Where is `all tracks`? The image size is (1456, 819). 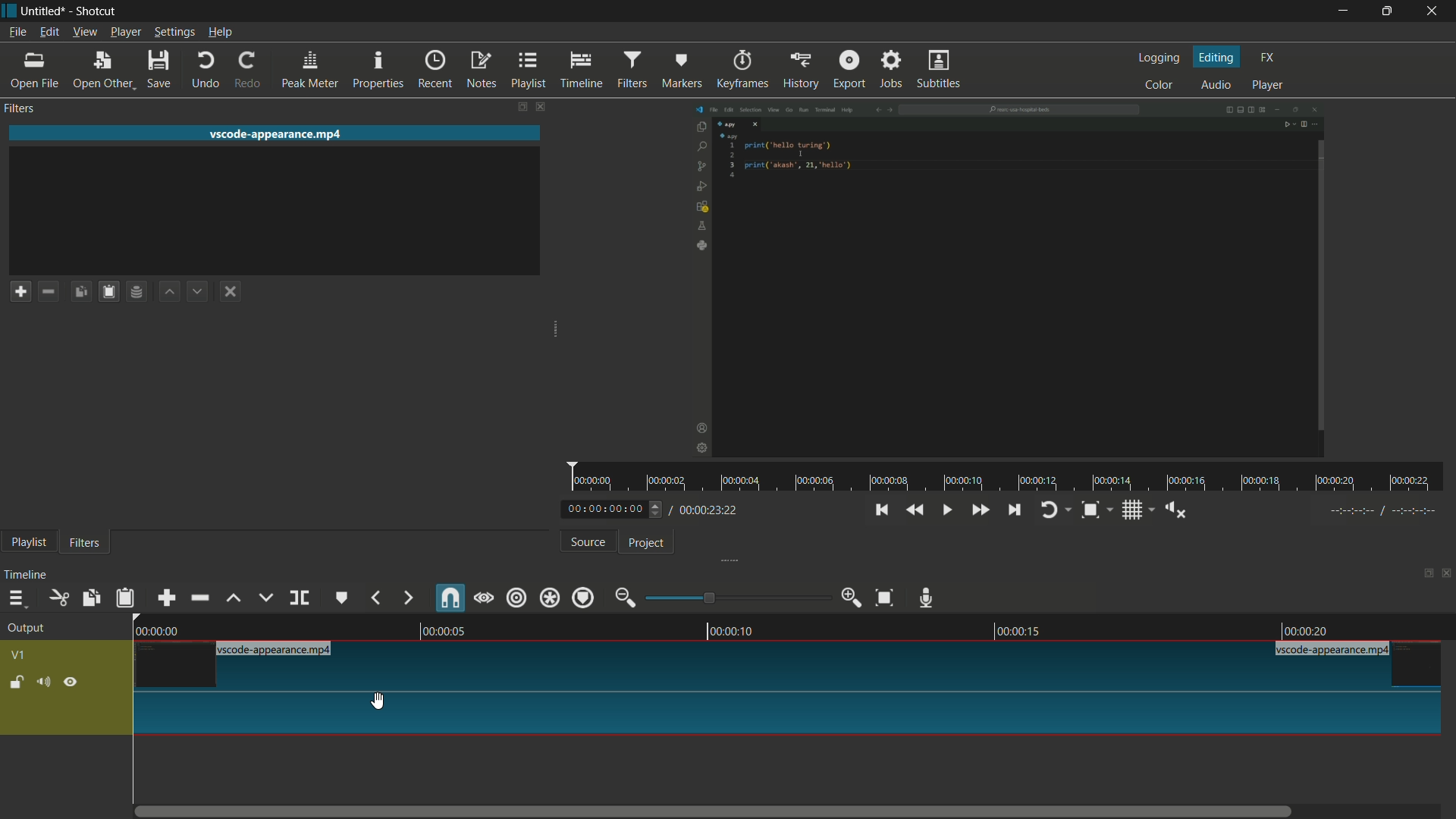 all tracks is located at coordinates (551, 598).